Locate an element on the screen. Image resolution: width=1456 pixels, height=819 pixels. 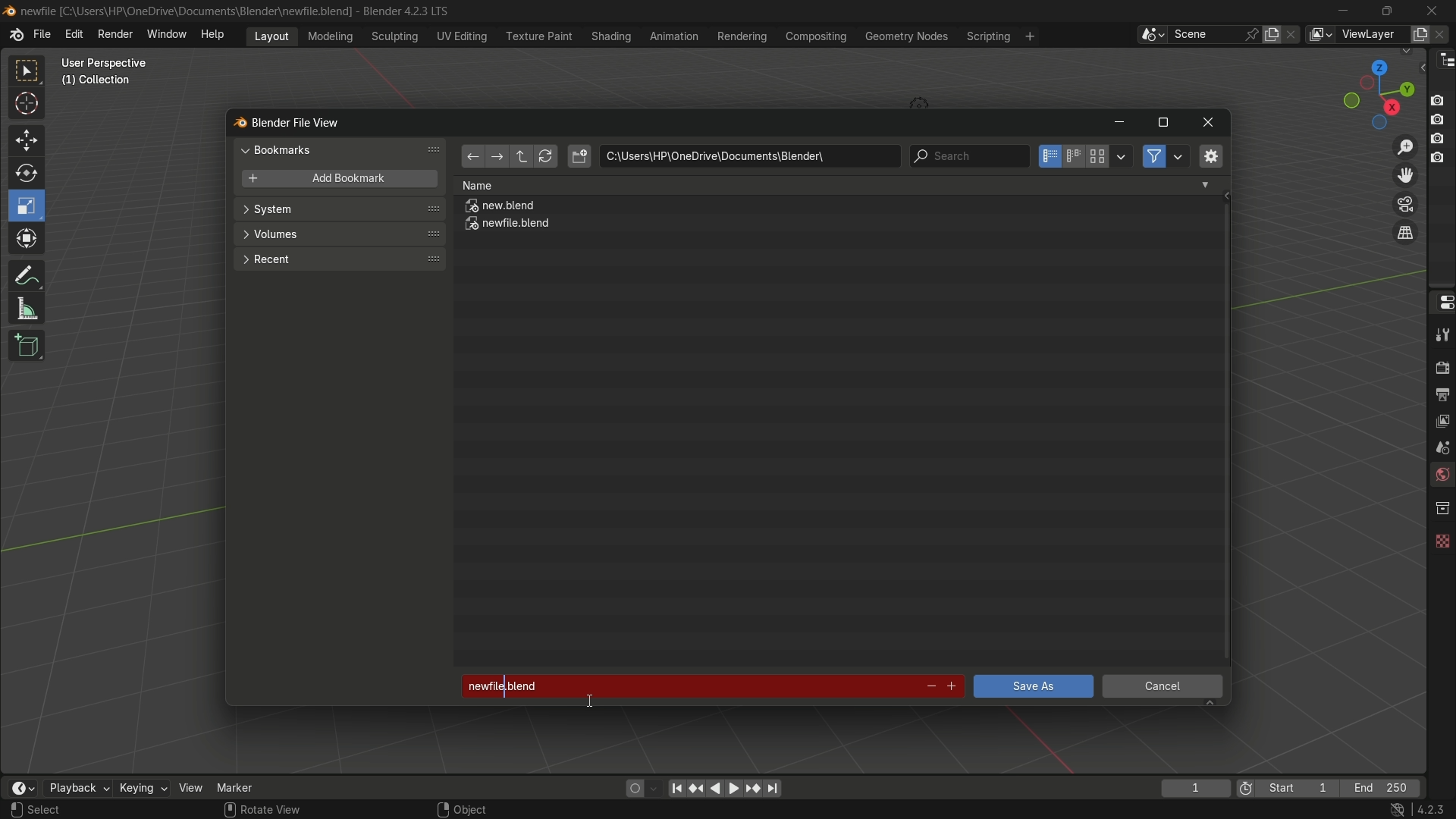
shading menu is located at coordinates (609, 36).